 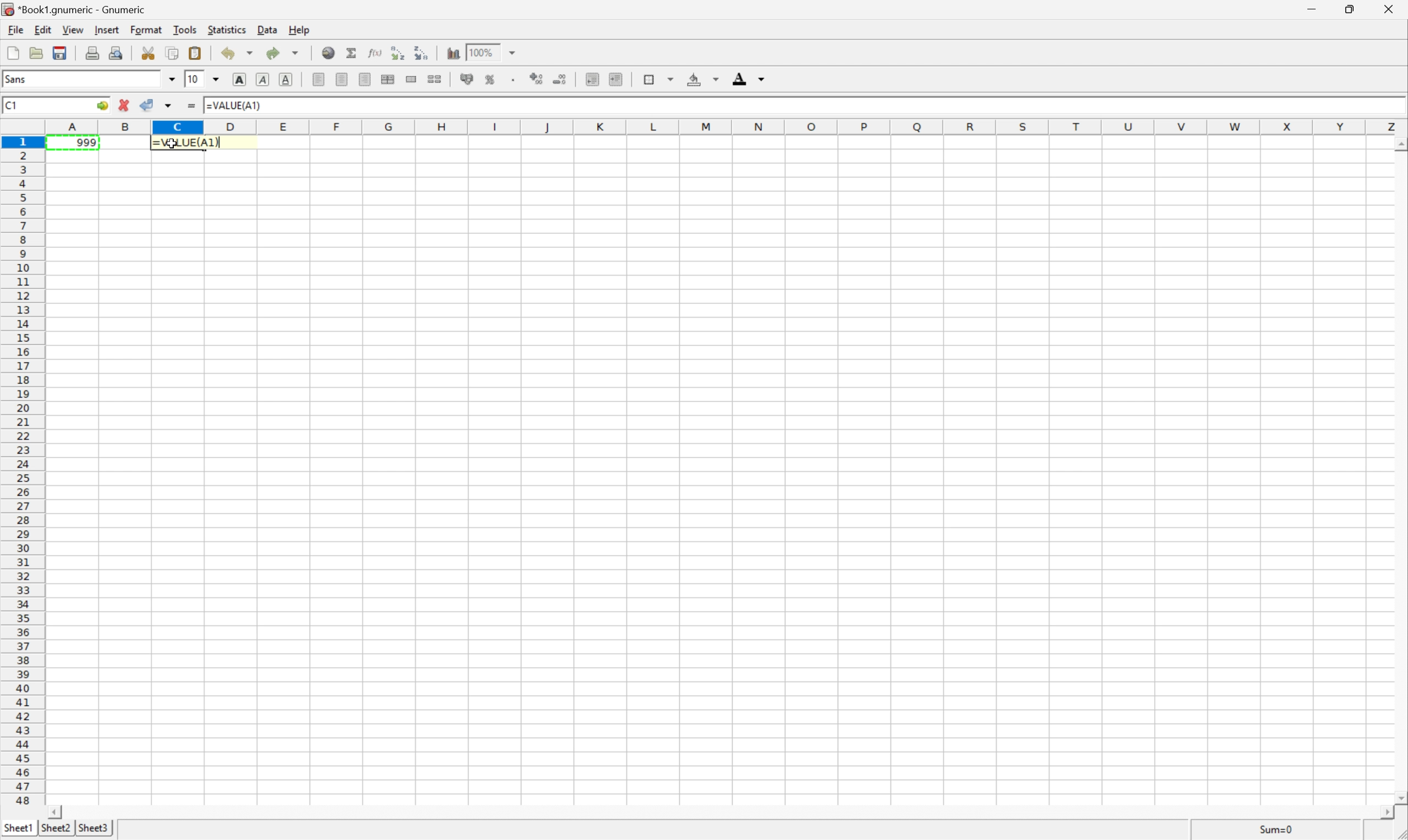 What do you see at coordinates (704, 80) in the screenshot?
I see `background` at bounding box center [704, 80].